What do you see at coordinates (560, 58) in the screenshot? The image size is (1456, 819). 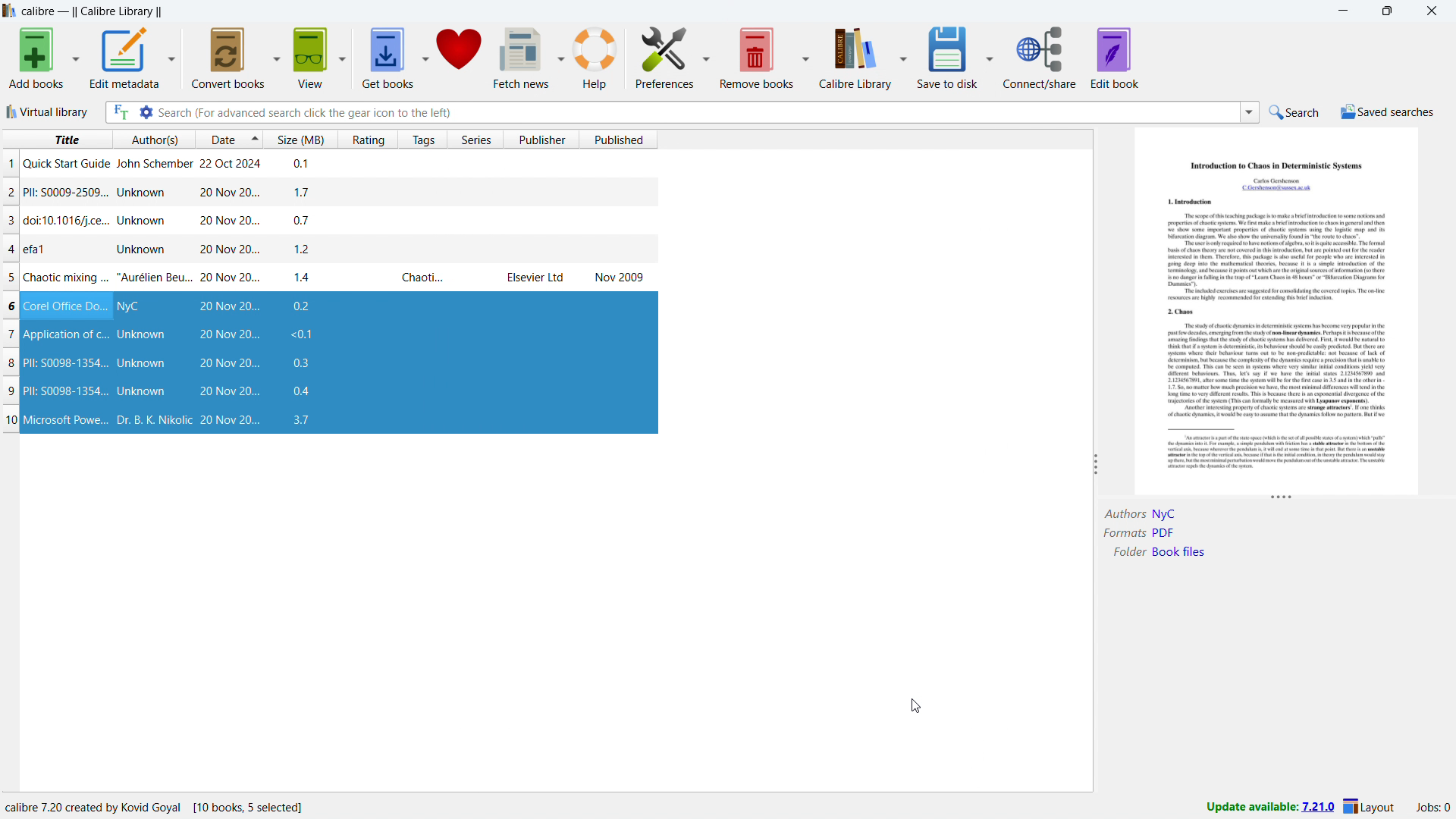 I see `fetch news options` at bounding box center [560, 58].